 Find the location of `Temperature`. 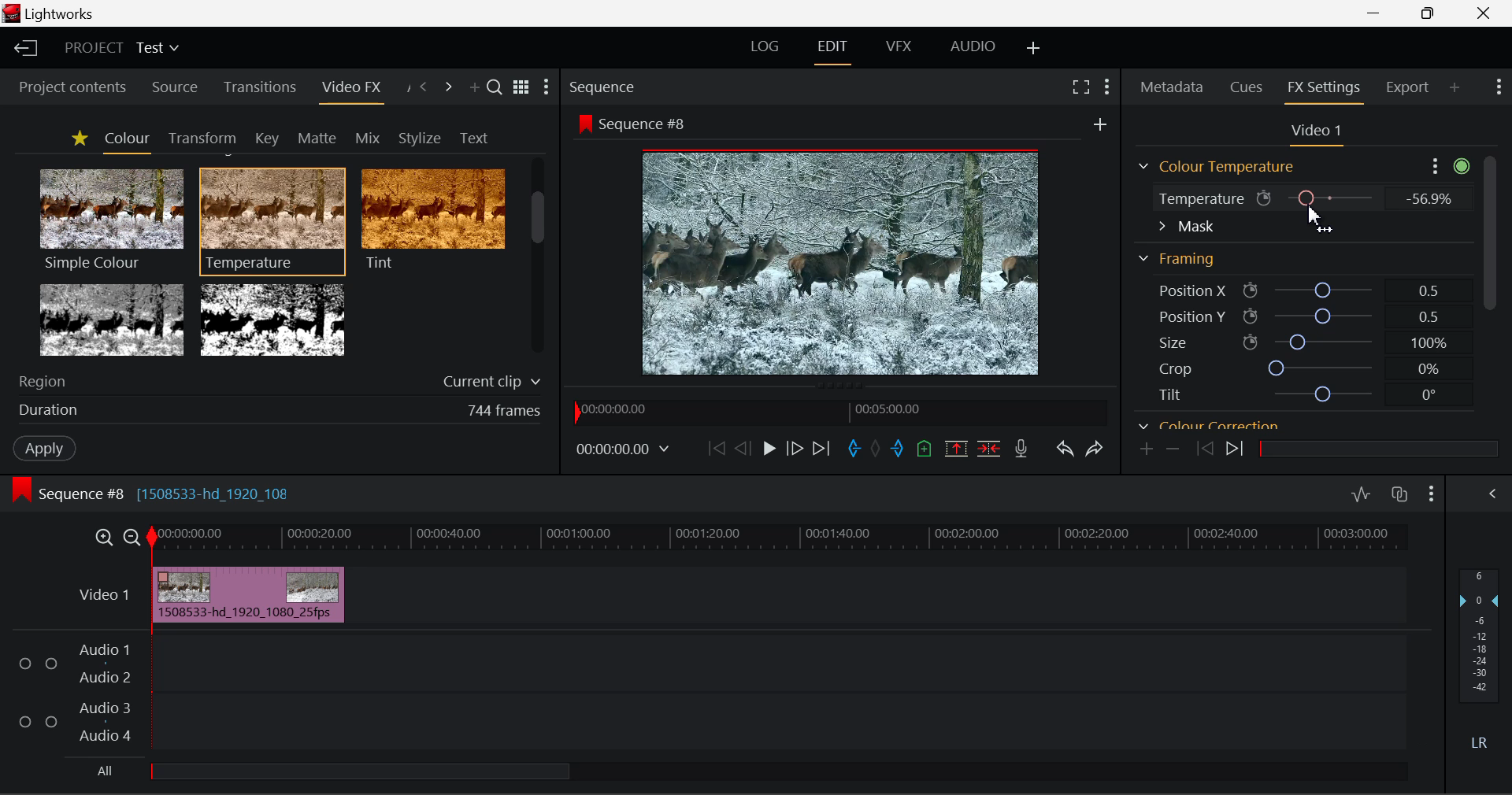

Temperature is located at coordinates (1197, 201).